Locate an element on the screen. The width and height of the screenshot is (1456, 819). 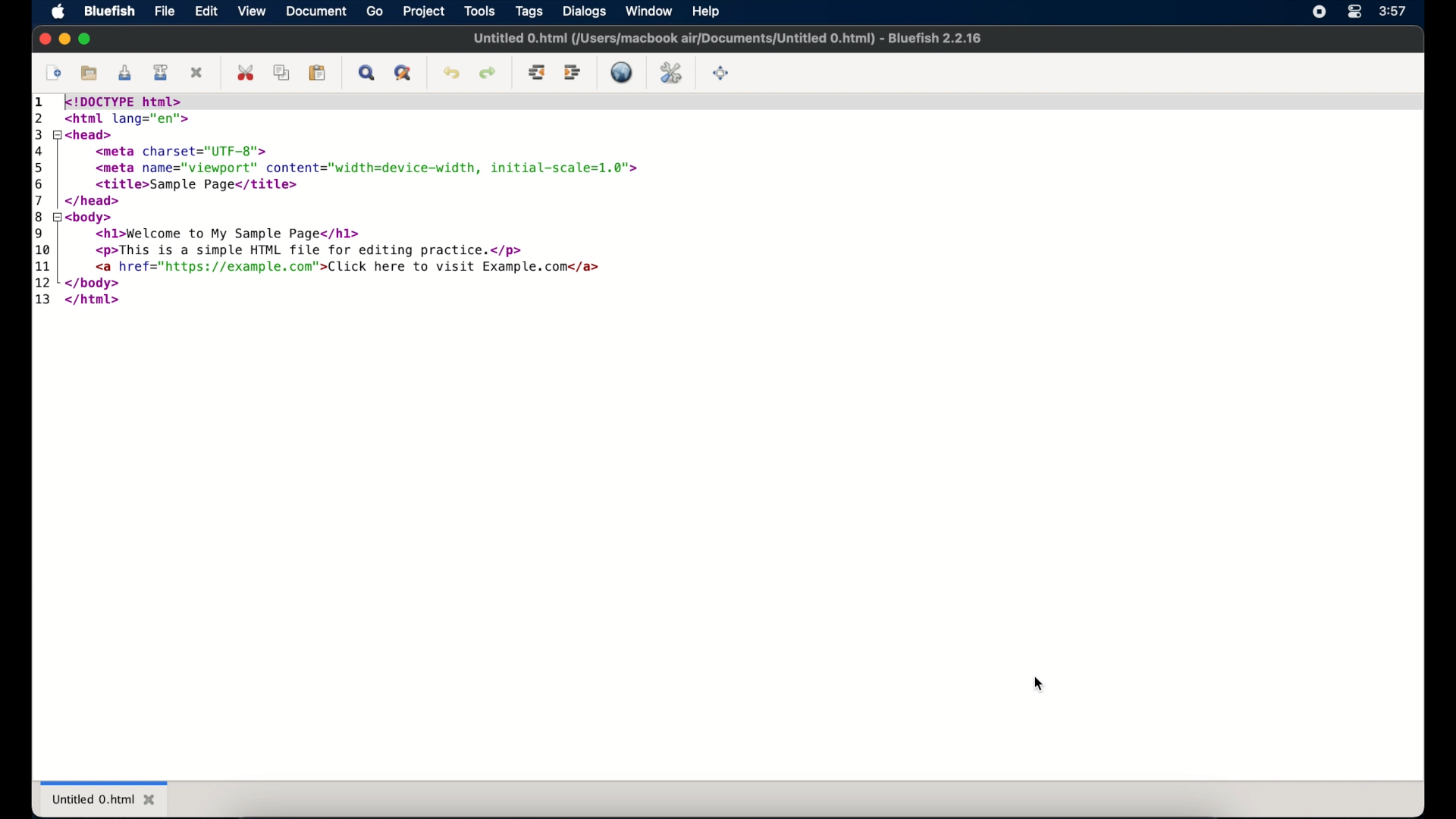
close is located at coordinates (44, 39).